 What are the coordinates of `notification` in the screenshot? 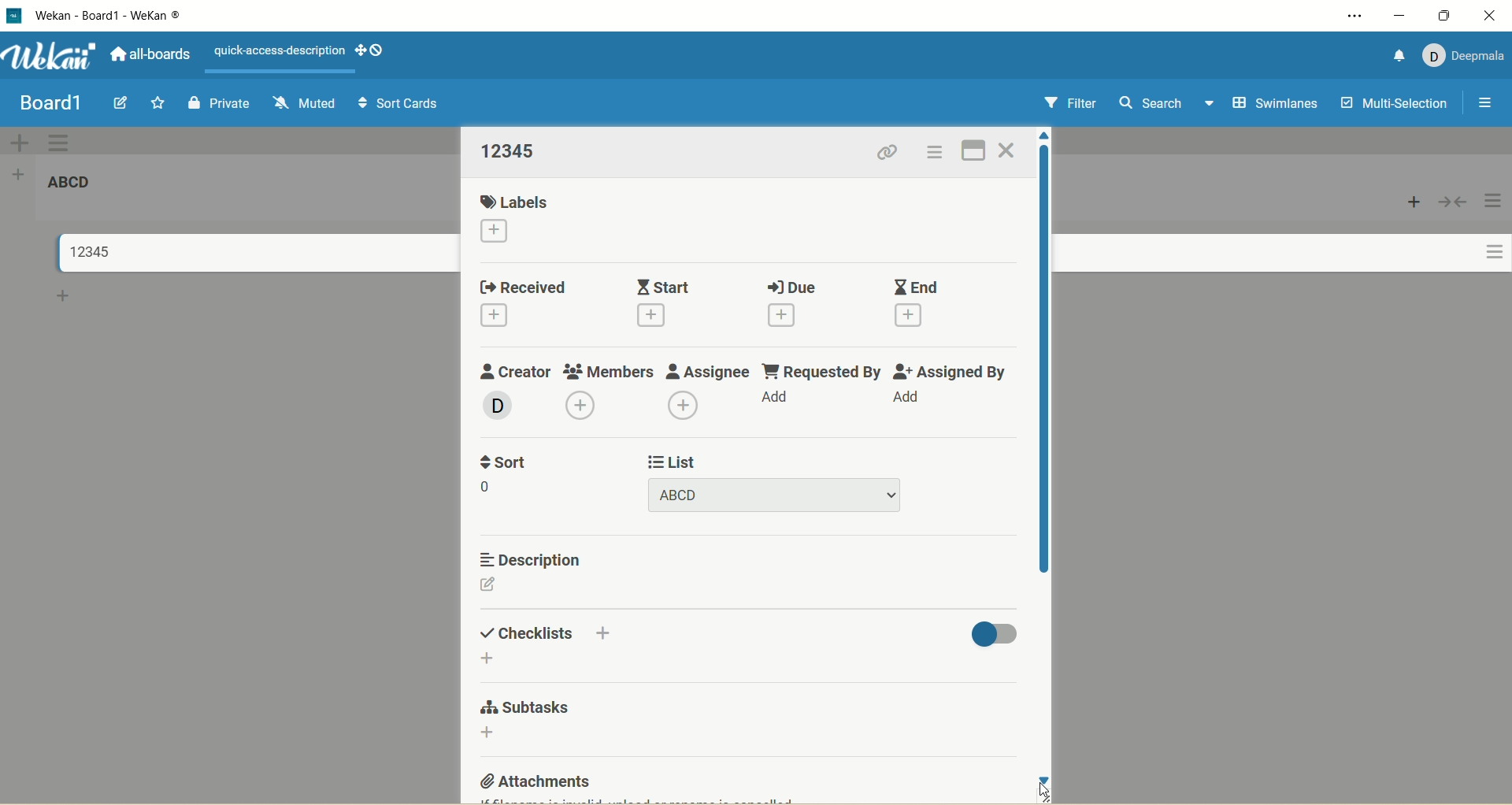 It's located at (1393, 54).